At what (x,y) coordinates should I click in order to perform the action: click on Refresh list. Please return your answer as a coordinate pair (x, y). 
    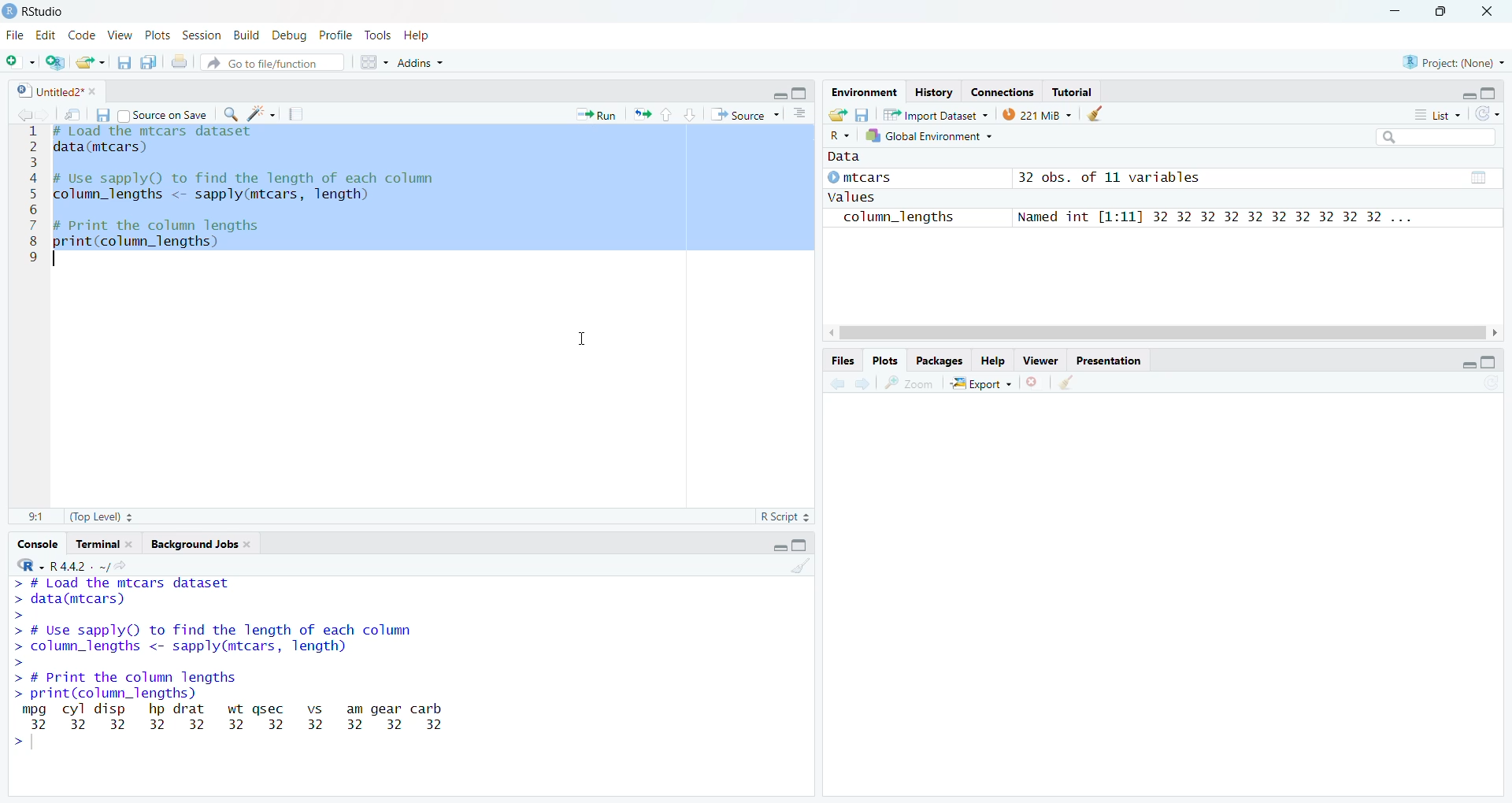
    Looking at the image, I should click on (1490, 383).